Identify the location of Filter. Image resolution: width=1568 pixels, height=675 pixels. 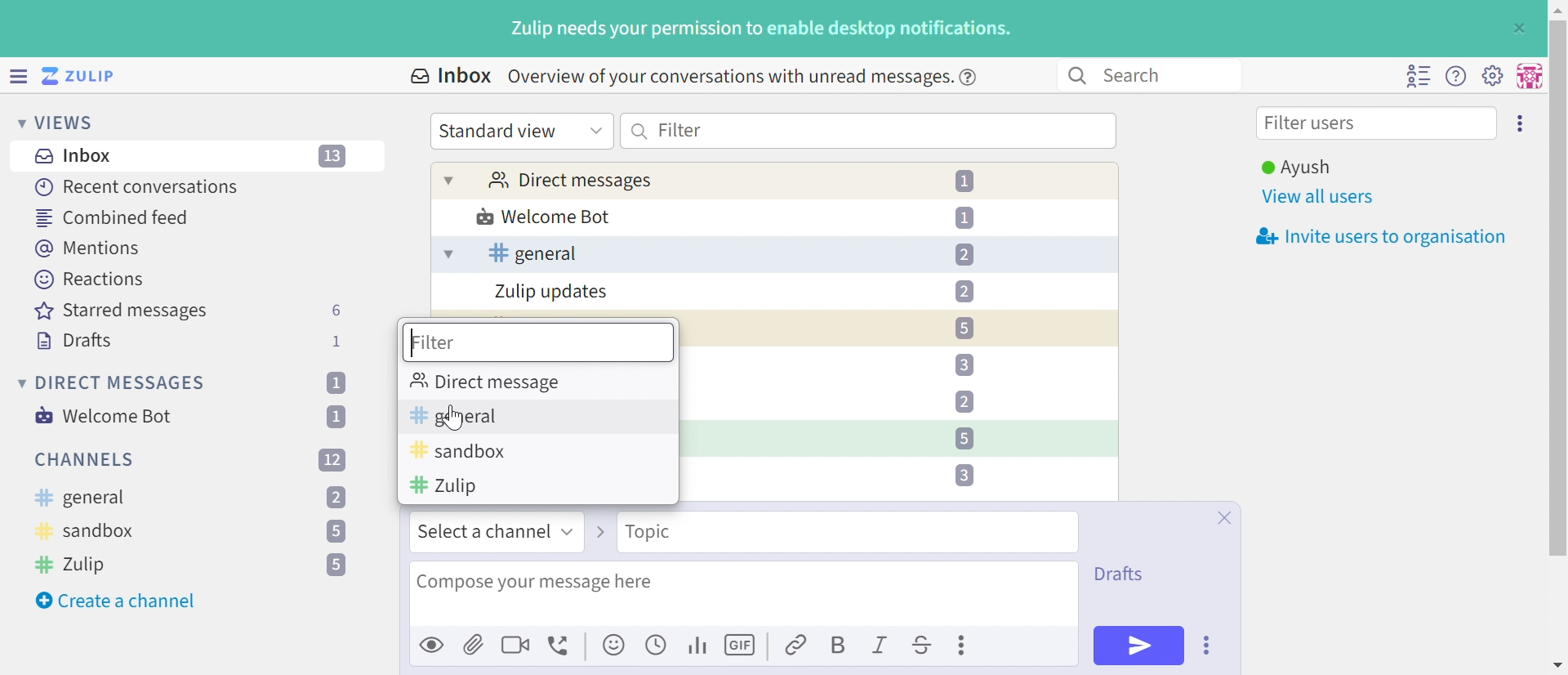
(434, 342).